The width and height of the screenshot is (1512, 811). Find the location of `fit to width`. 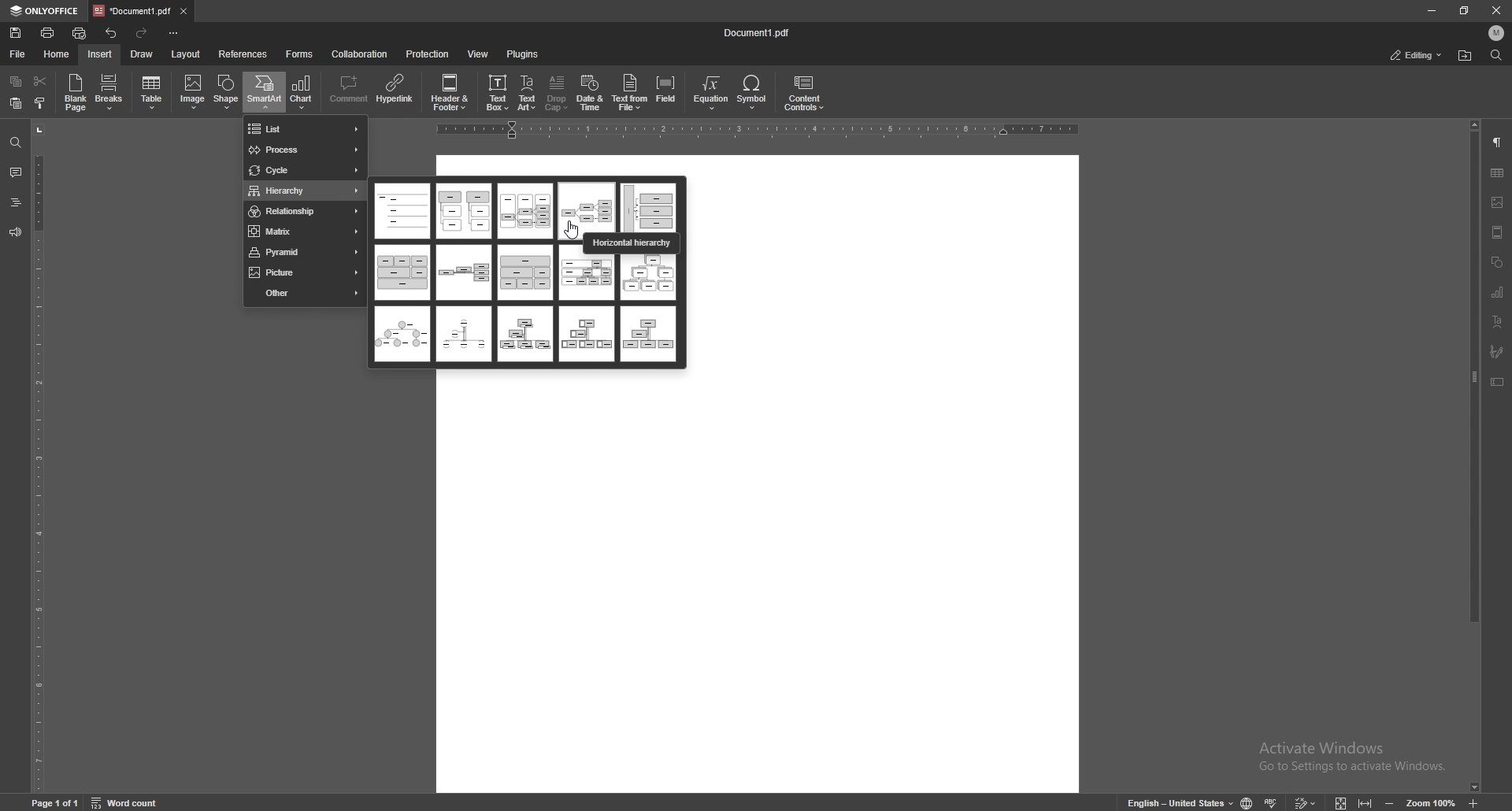

fit to width is located at coordinates (1365, 802).